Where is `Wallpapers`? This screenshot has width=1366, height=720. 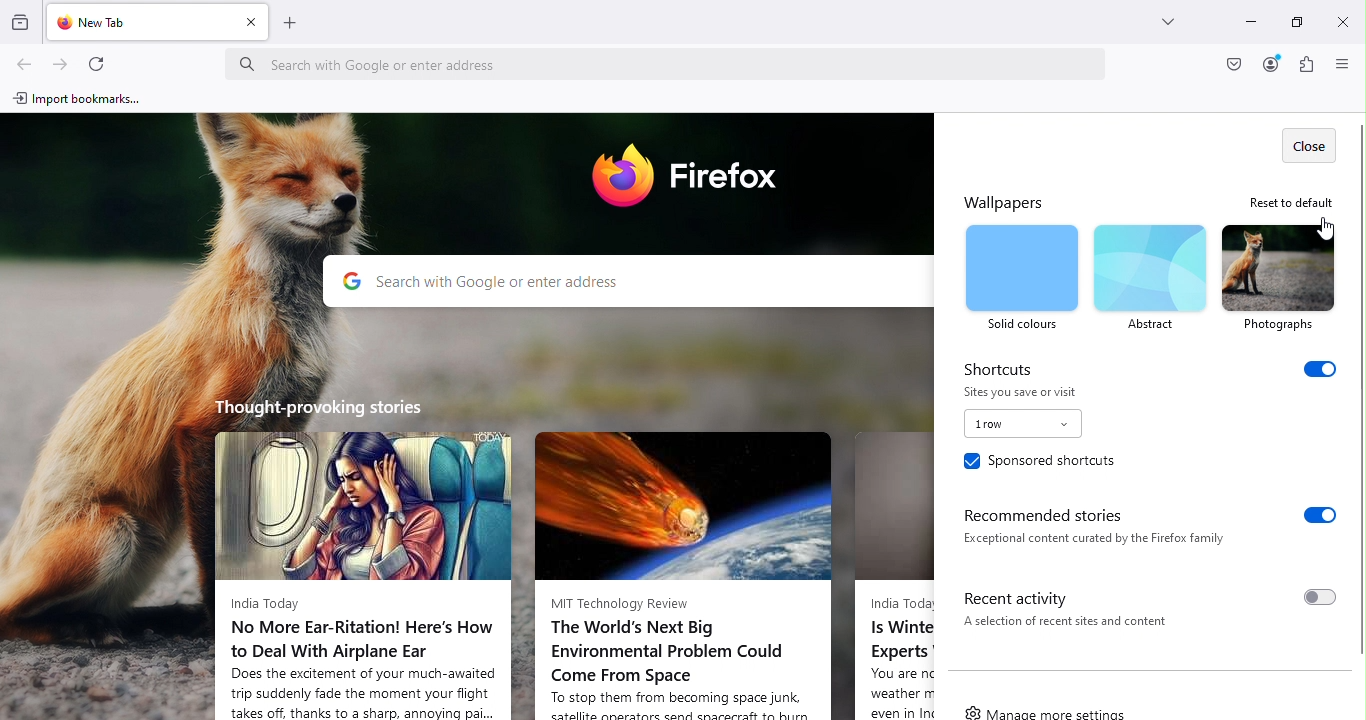 Wallpapers is located at coordinates (1013, 200).